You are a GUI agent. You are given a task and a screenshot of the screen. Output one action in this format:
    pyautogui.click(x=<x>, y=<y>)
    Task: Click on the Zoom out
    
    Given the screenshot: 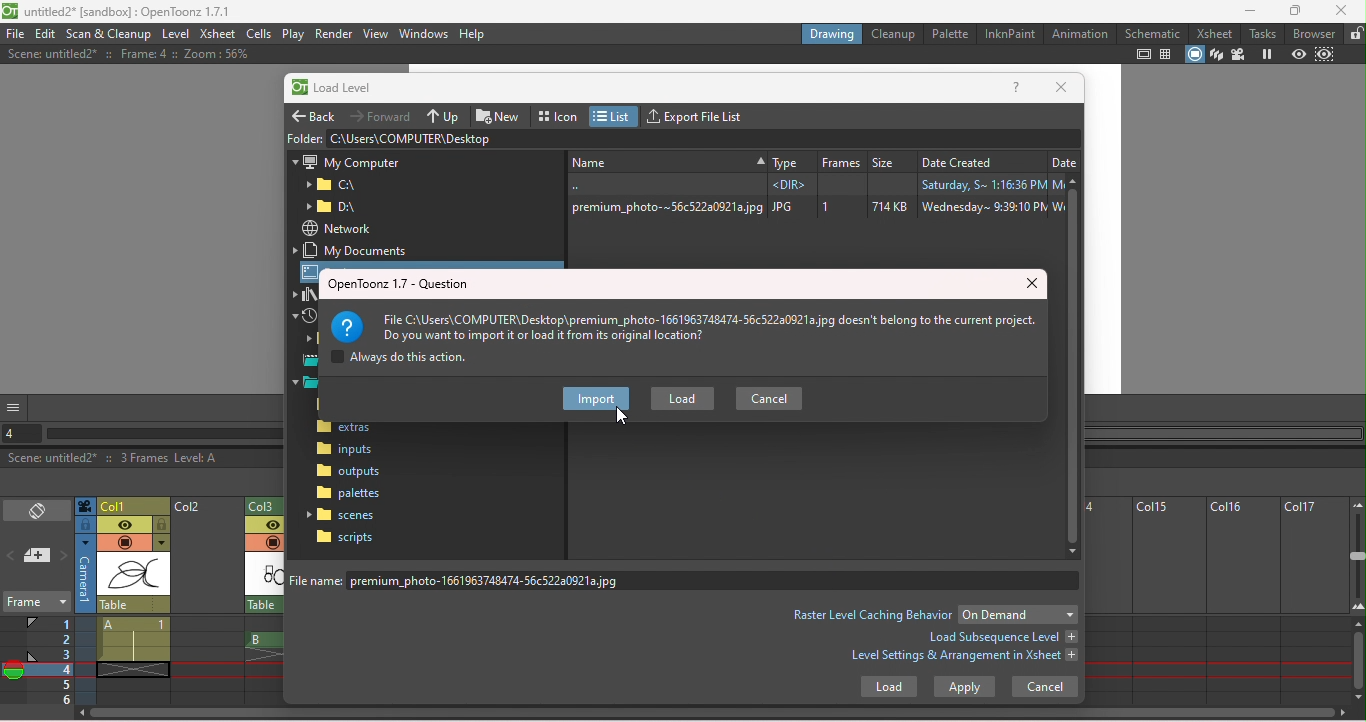 What is the action you would take?
    pyautogui.click(x=1356, y=504)
    